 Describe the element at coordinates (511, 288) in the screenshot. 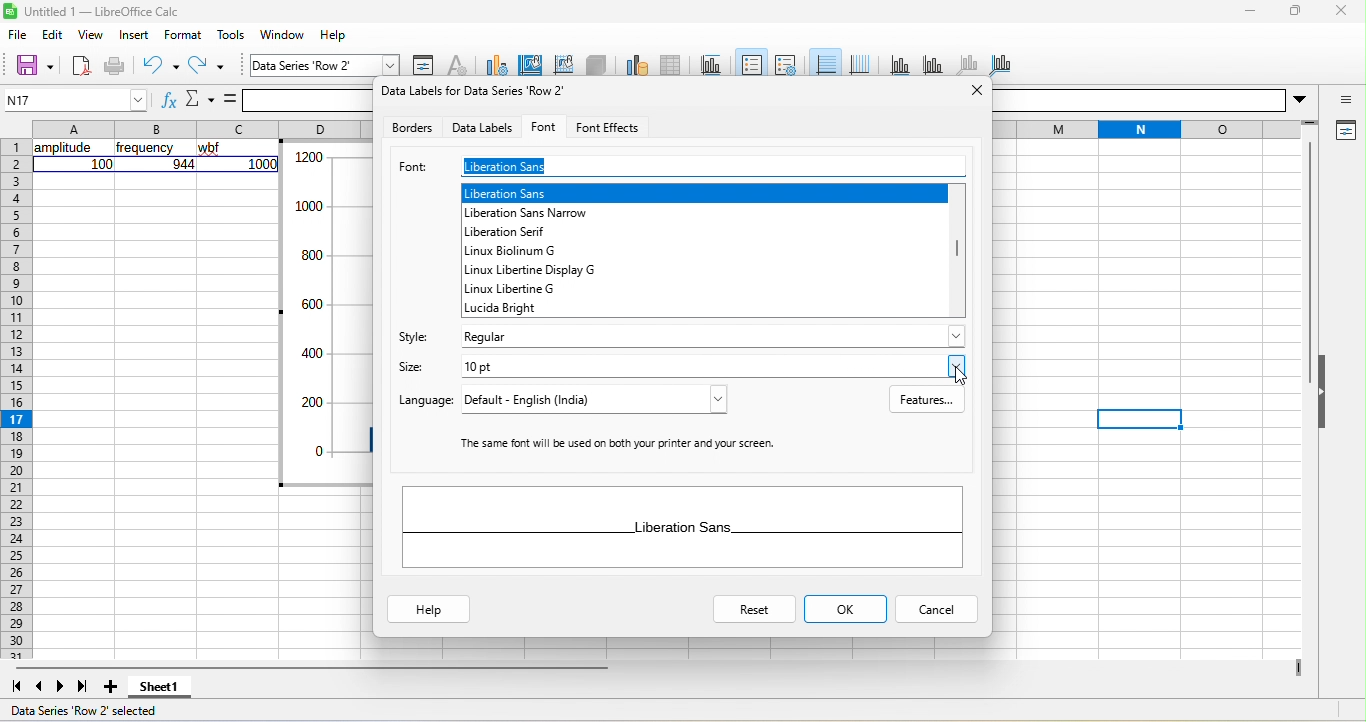

I see `linux libertine g` at that location.